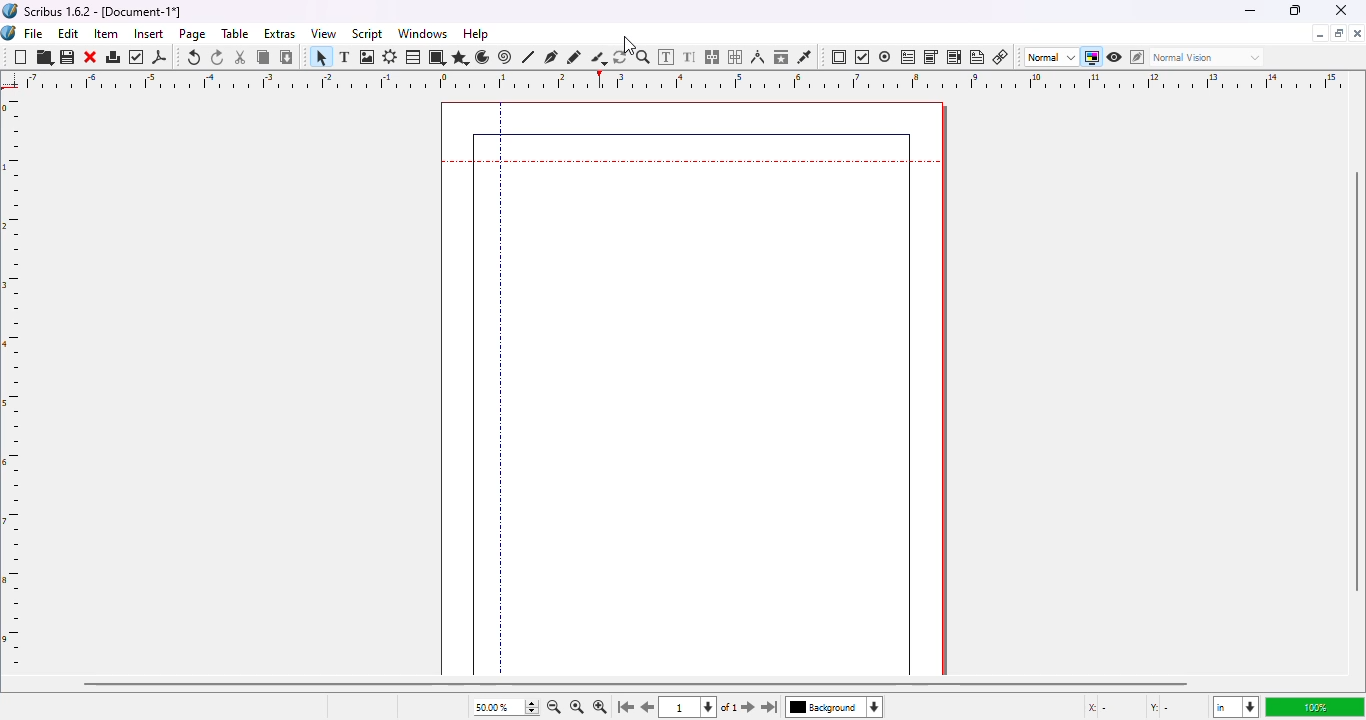  I want to click on text annotation, so click(978, 57).